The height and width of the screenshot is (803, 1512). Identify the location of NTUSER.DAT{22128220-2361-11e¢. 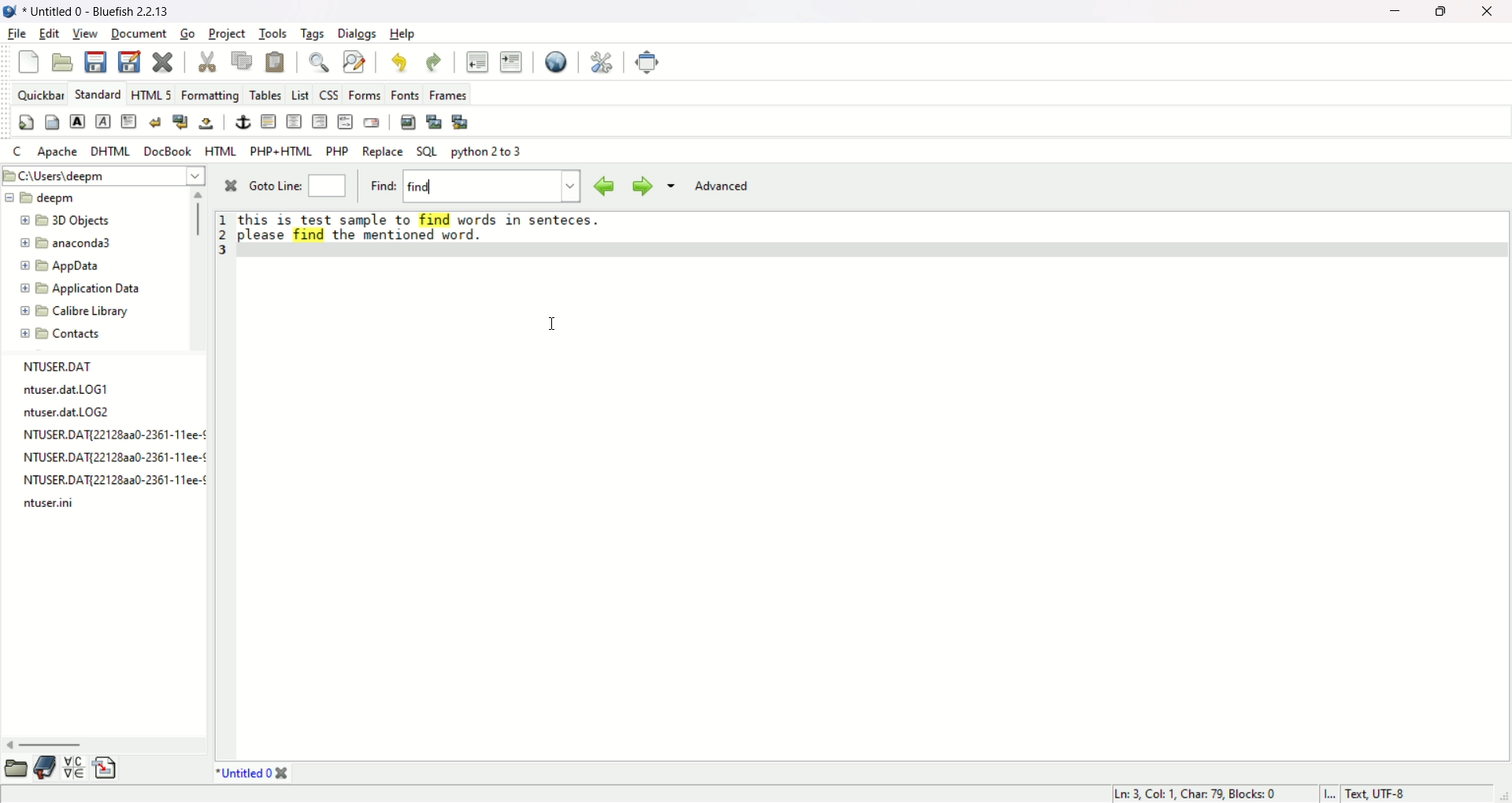
(101, 480).